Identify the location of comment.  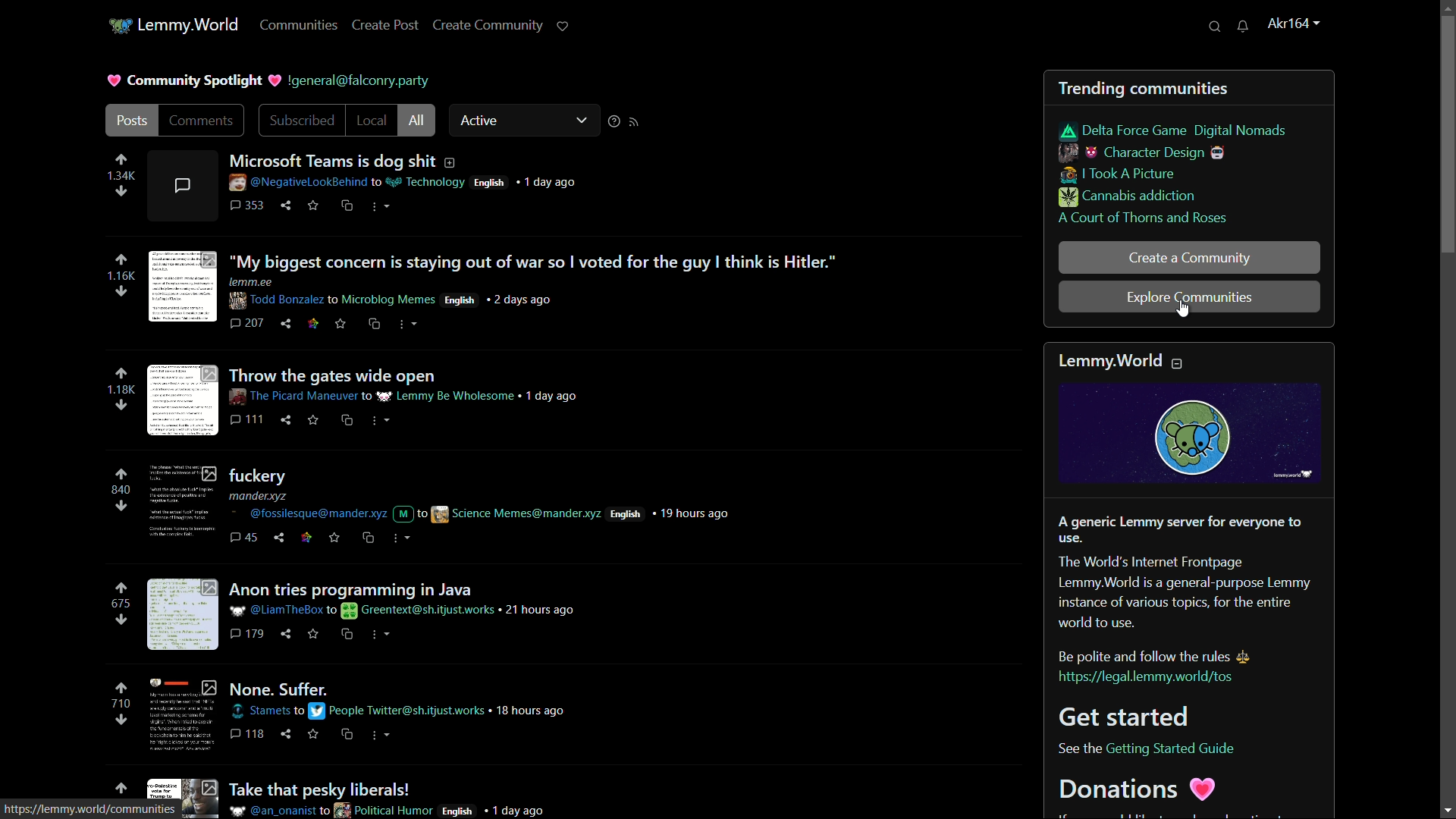
(183, 186).